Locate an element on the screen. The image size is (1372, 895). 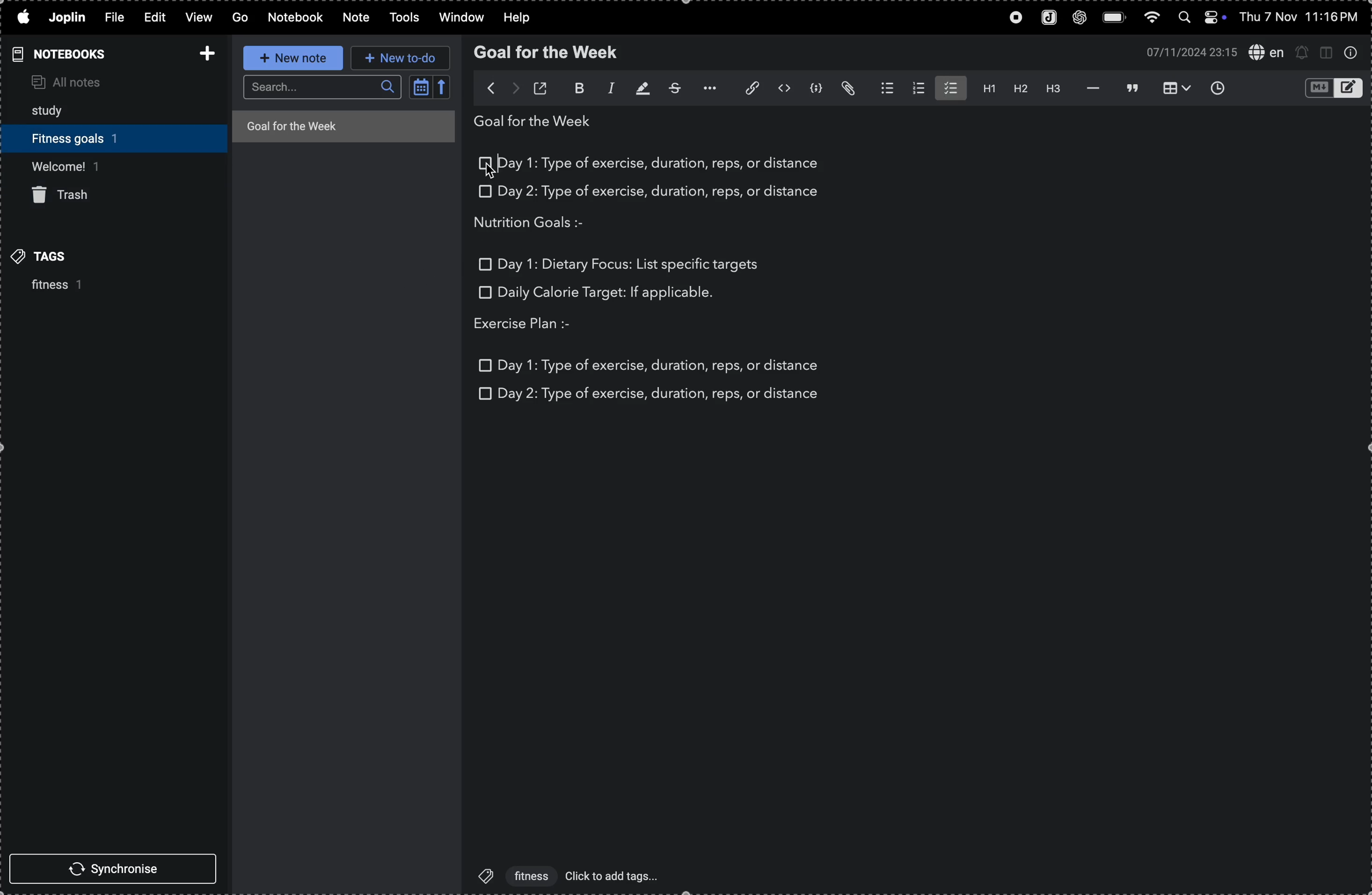
battery is located at coordinates (1113, 16).